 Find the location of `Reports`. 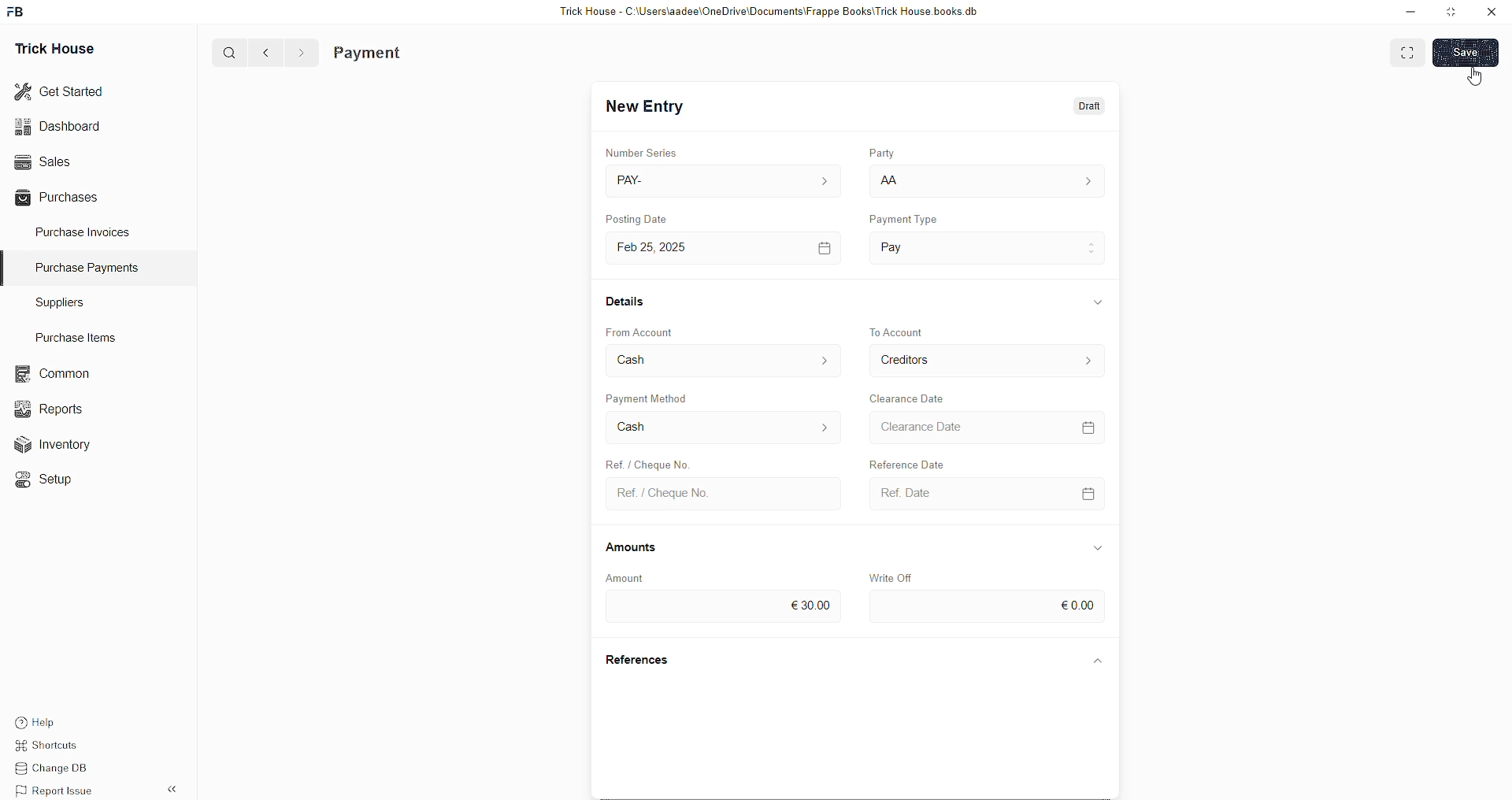

Reports is located at coordinates (54, 407).